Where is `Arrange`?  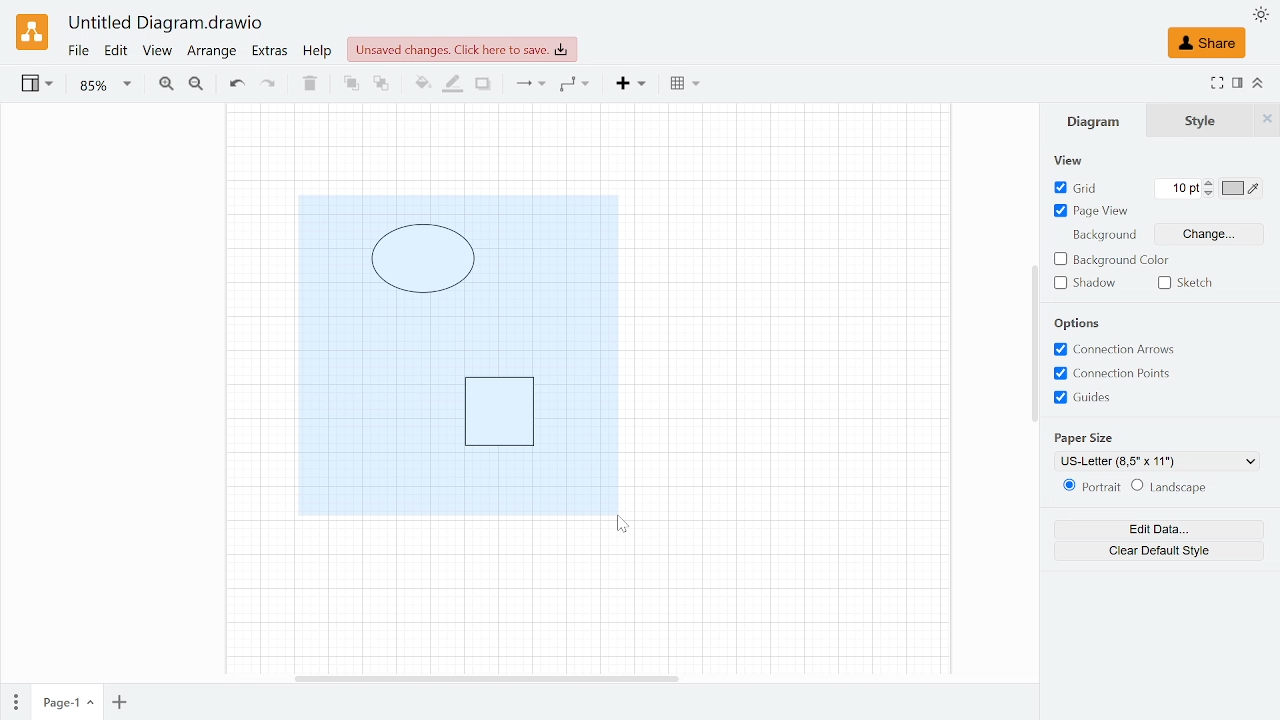 Arrange is located at coordinates (212, 54).